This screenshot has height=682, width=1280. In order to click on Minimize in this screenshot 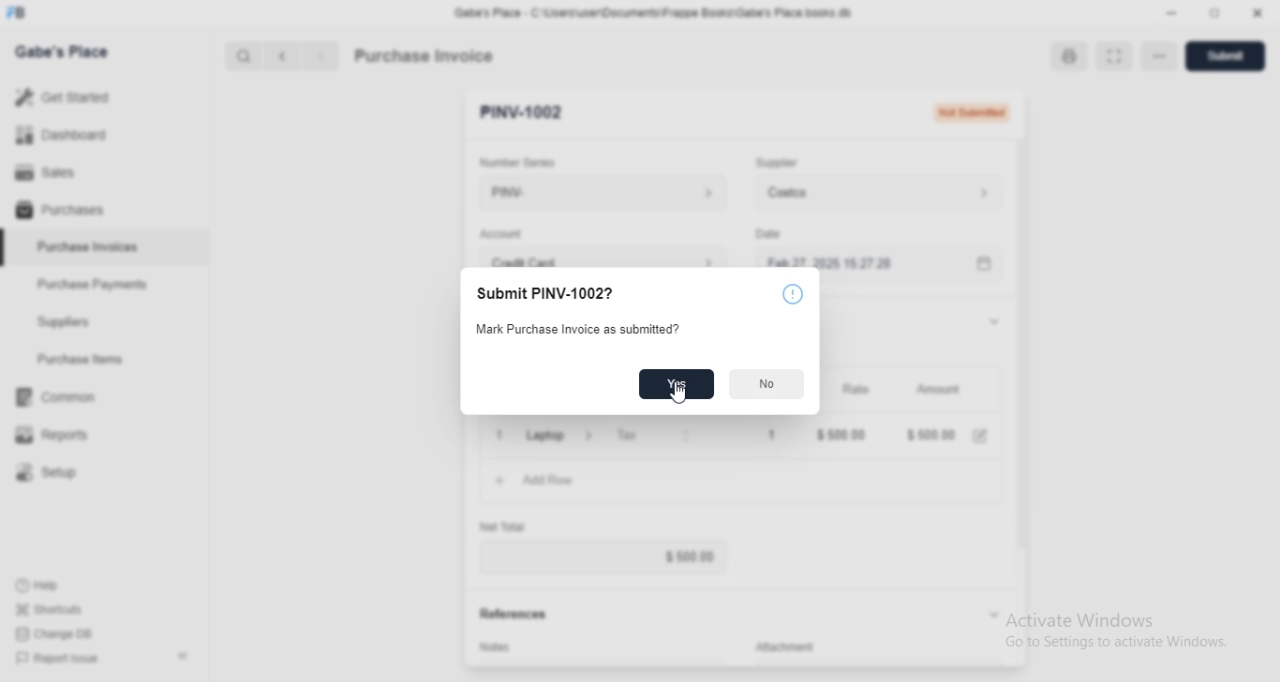, I will do `click(1171, 13)`.